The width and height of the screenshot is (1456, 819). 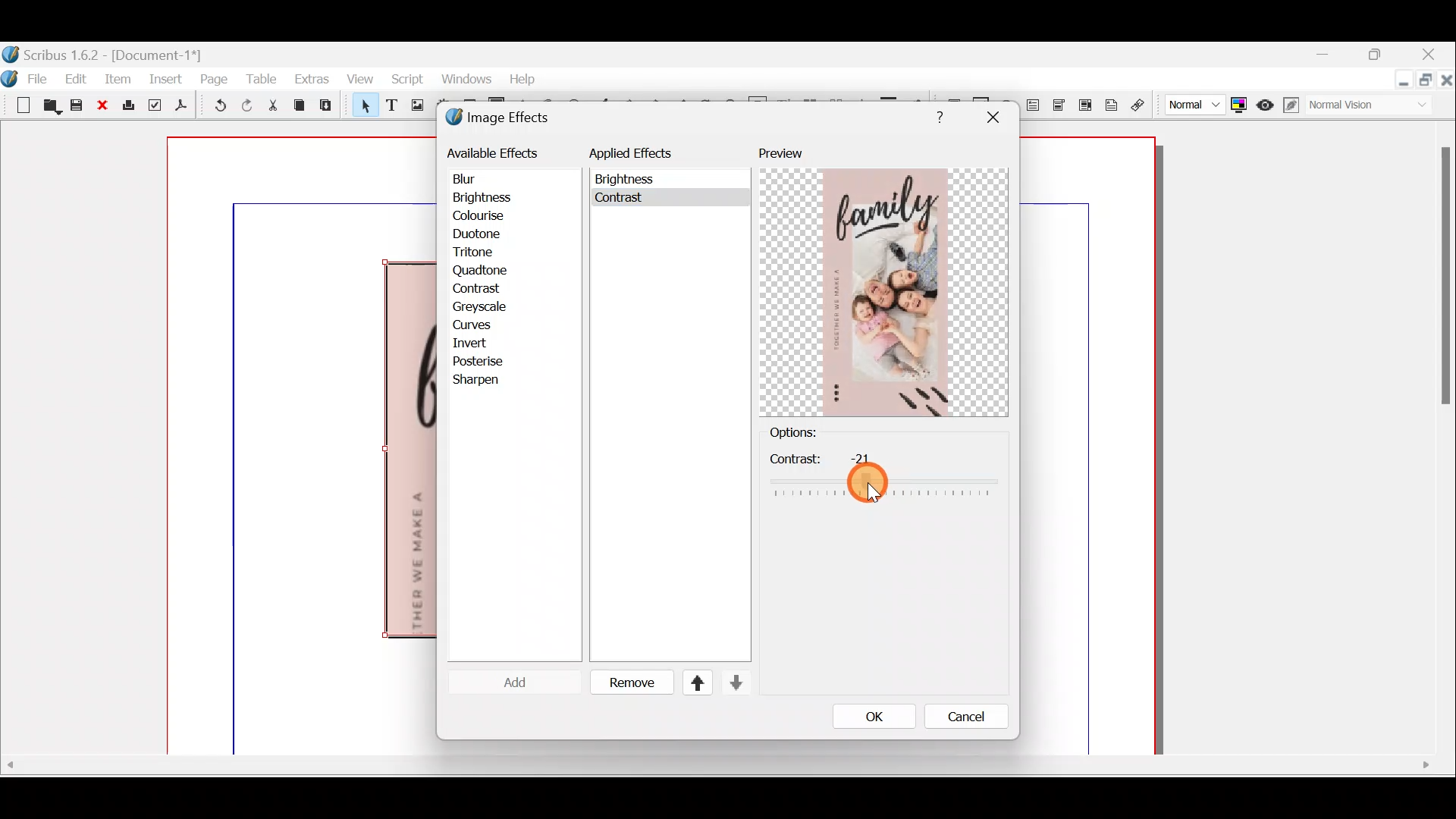 What do you see at coordinates (127, 106) in the screenshot?
I see `Print` at bounding box center [127, 106].